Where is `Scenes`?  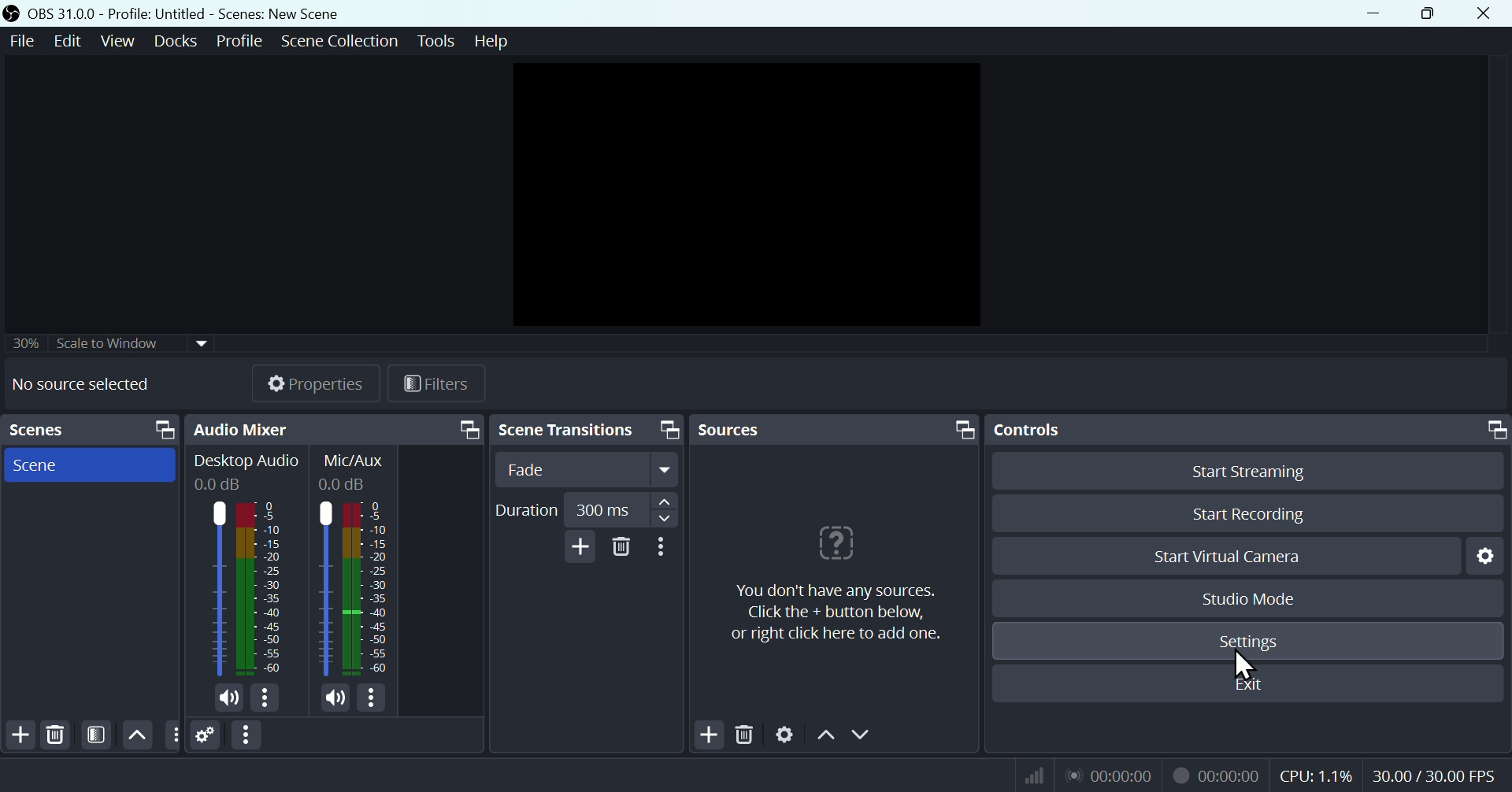 Scenes is located at coordinates (89, 463).